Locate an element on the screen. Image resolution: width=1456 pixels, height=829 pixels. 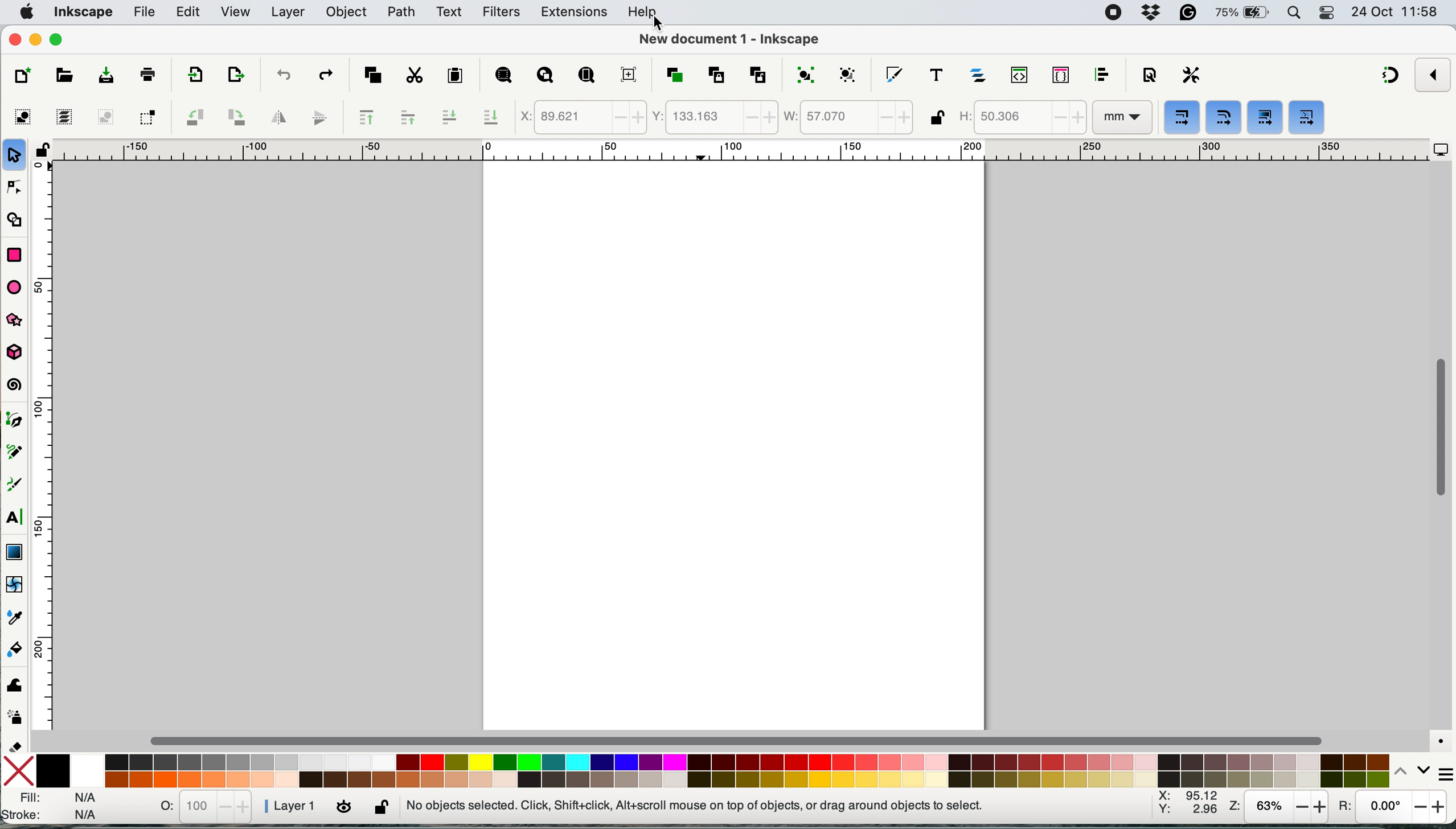
object rotate 90 ccw is located at coordinates (197, 120).